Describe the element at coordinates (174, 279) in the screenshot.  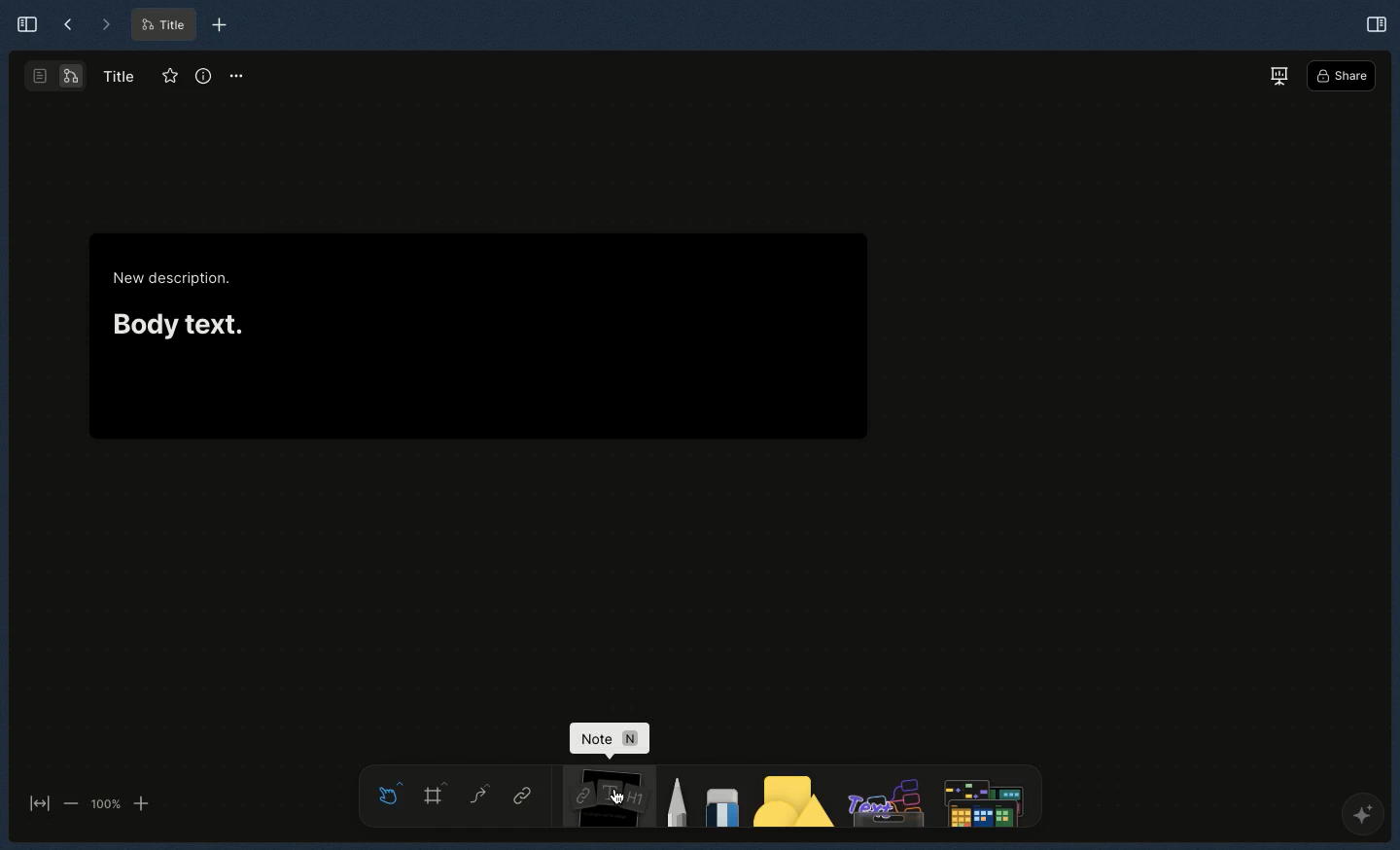
I see `New description.` at that location.